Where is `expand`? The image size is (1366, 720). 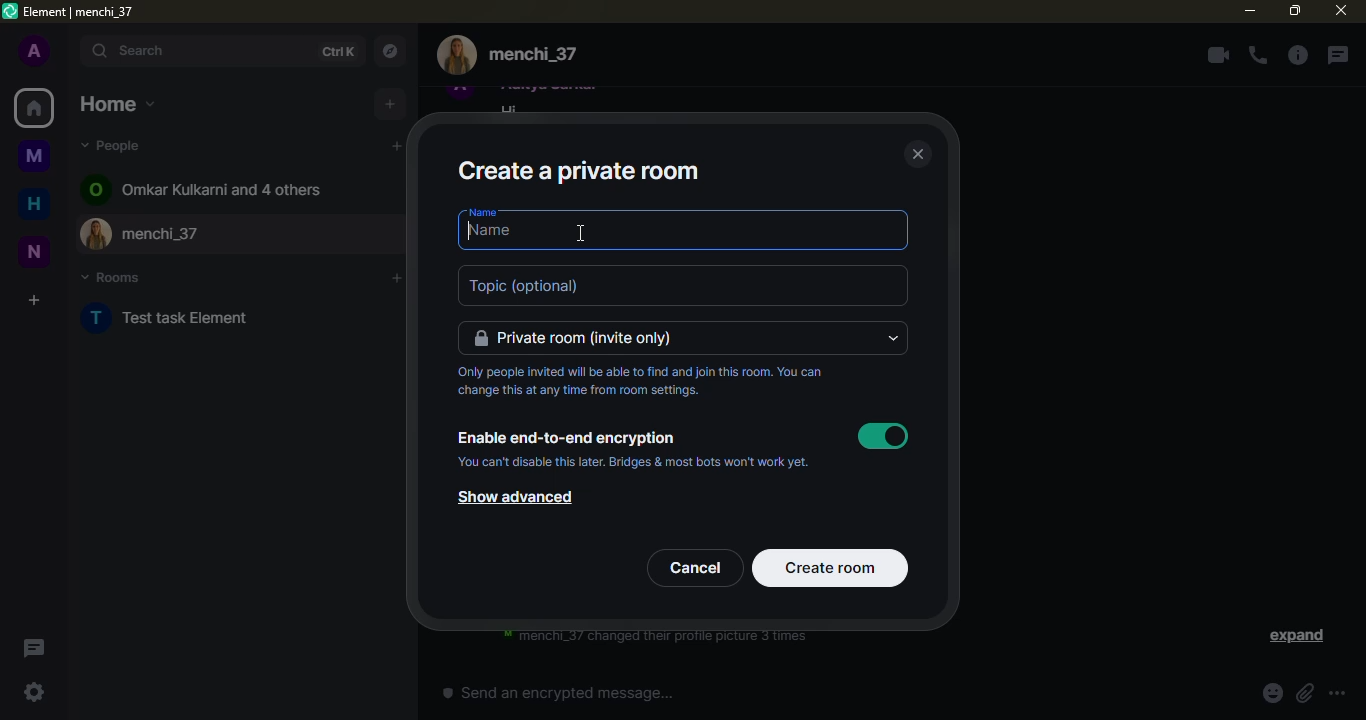
expand is located at coordinates (1295, 636).